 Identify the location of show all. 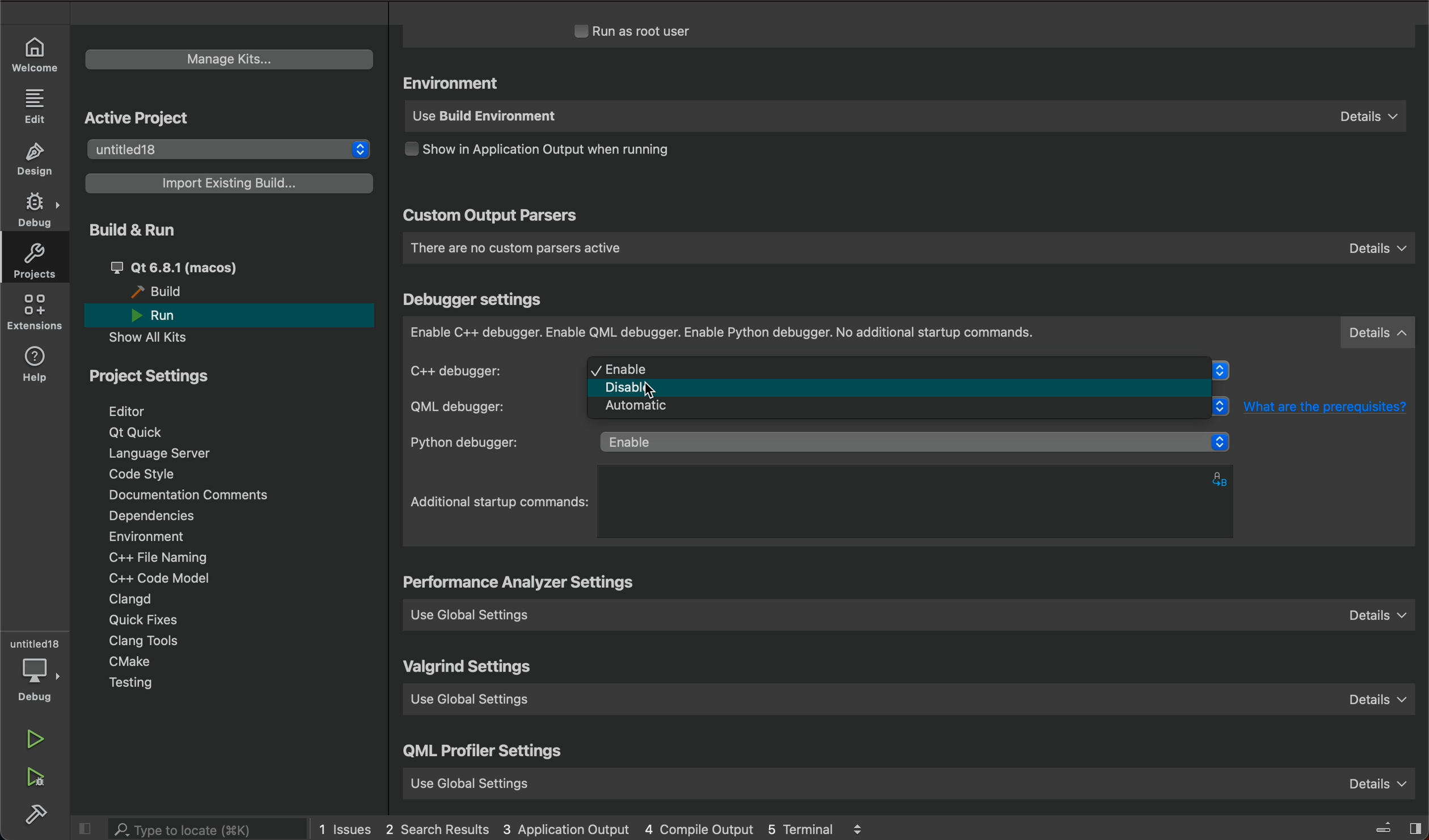
(157, 337).